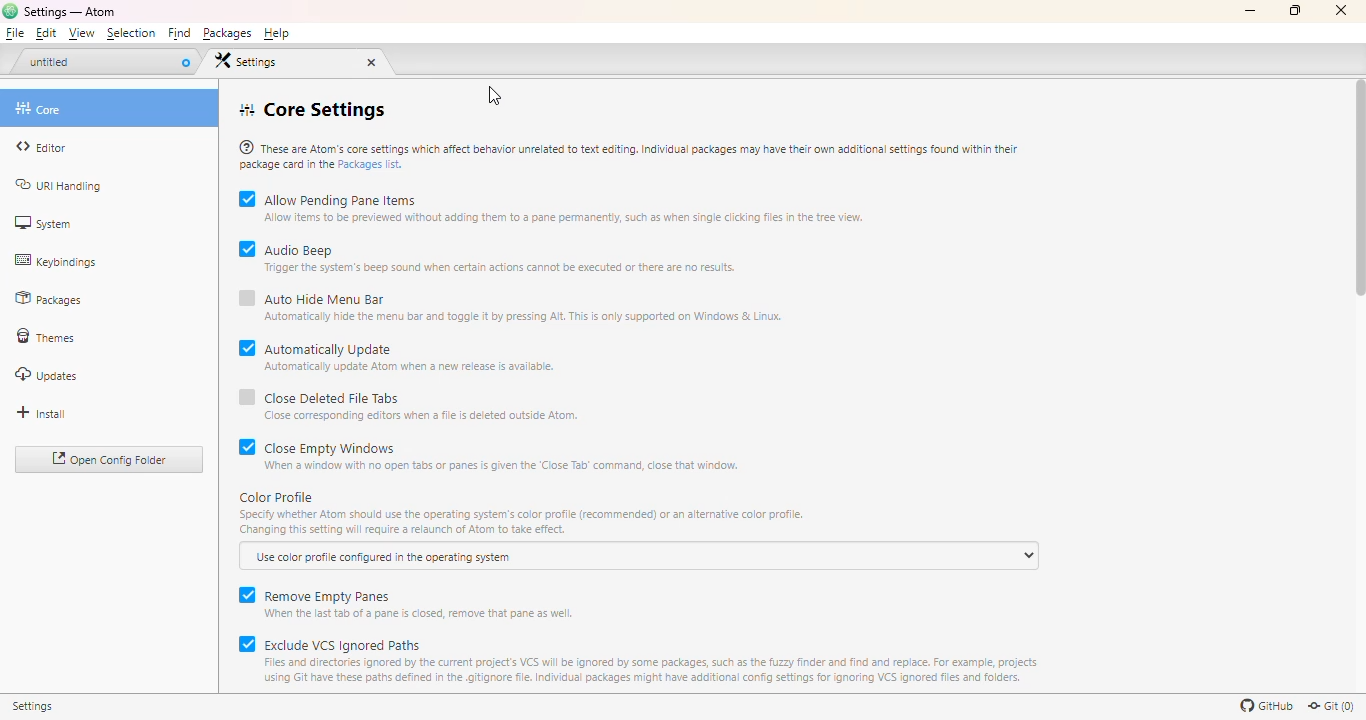  Describe the element at coordinates (311, 110) in the screenshot. I see `core settings` at that location.